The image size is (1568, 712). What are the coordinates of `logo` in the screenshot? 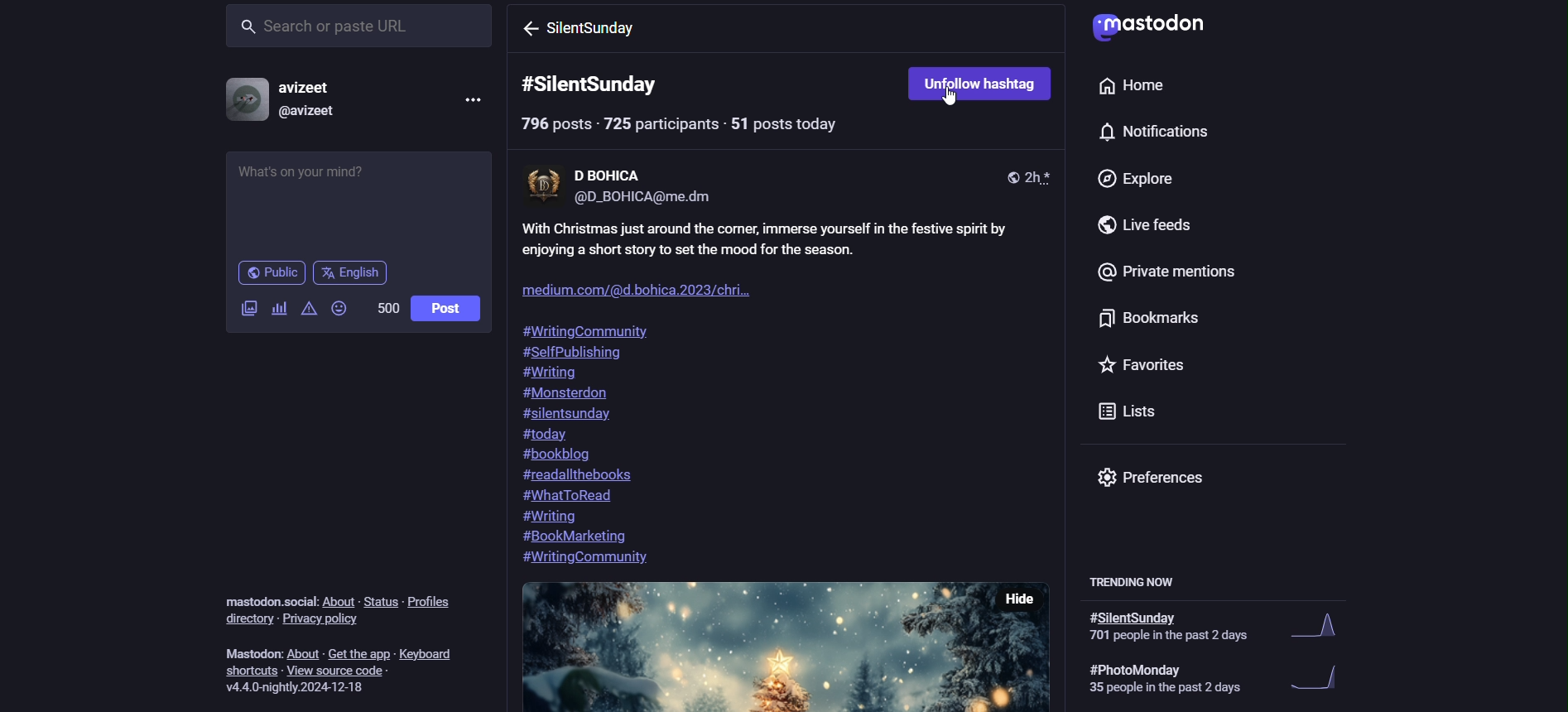 It's located at (1147, 26).